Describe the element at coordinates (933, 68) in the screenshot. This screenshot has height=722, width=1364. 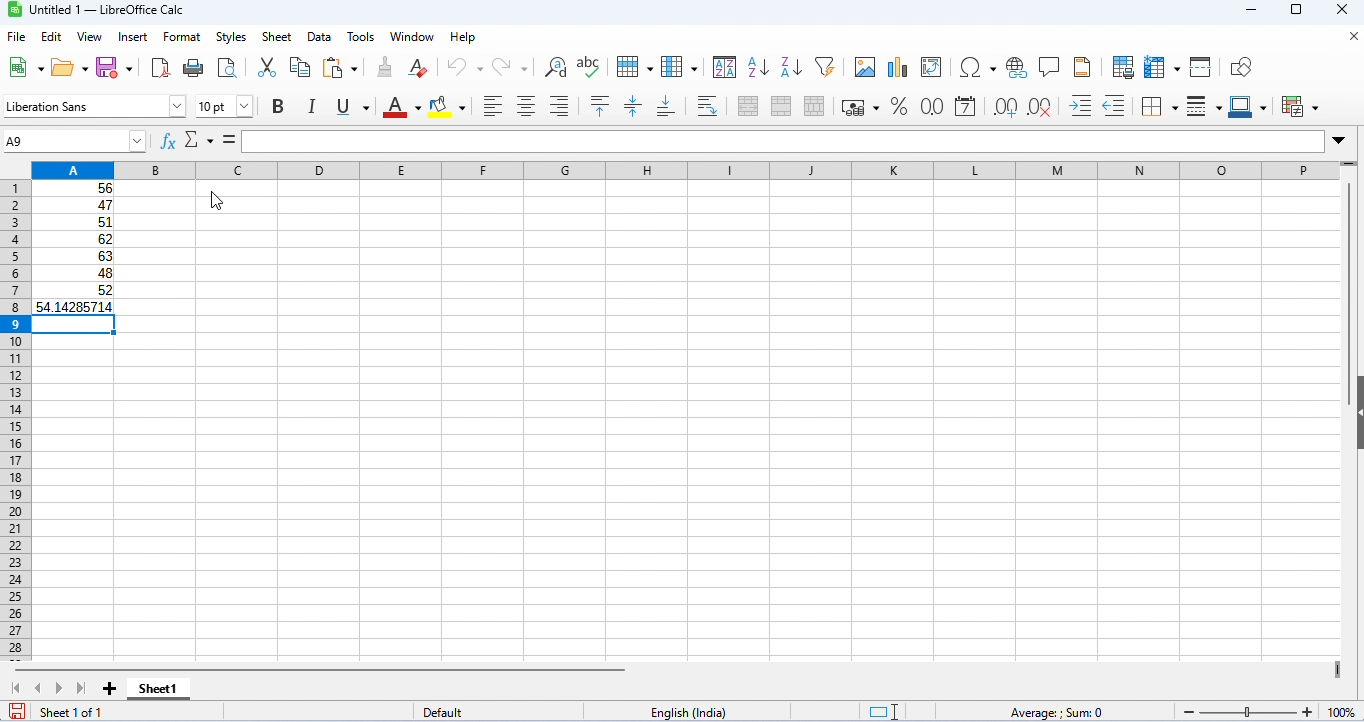
I see `insert or edit pivot table` at that location.